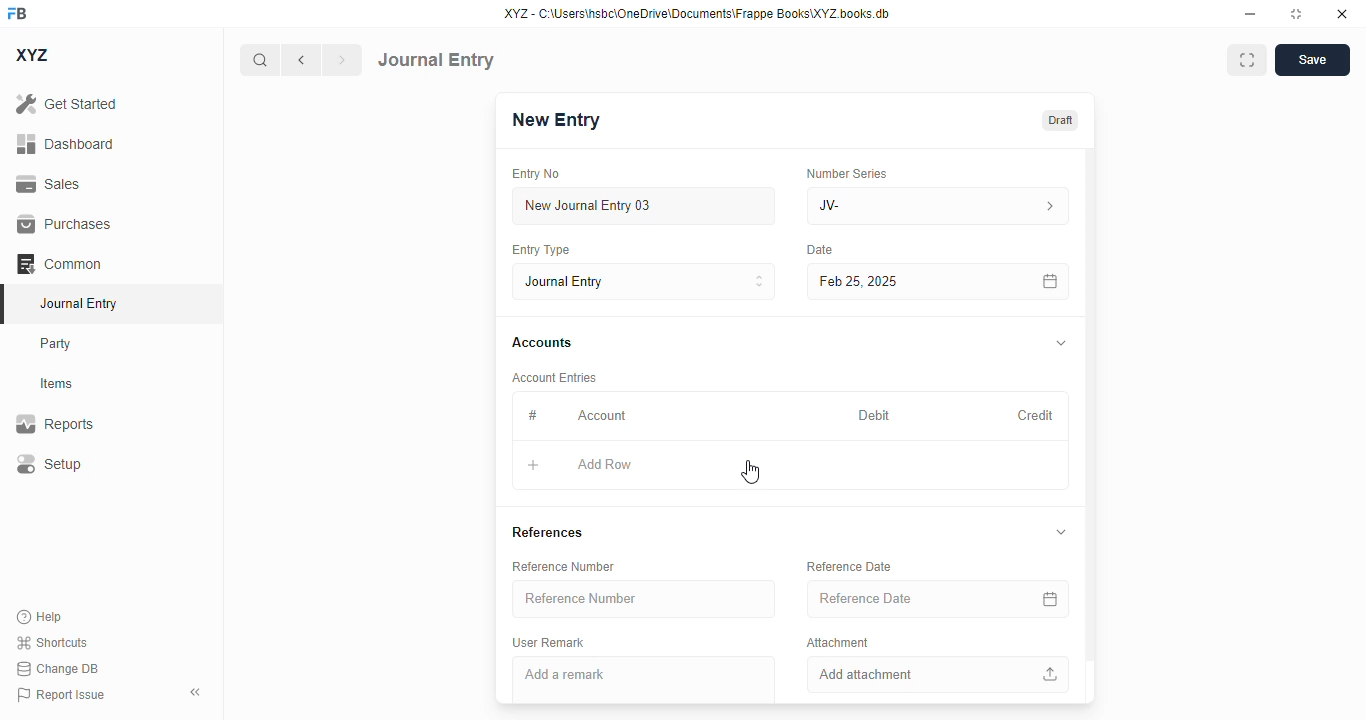 This screenshot has height=720, width=1366. What do you see at coordinates (1062, 343) in the screenshot?
I see `toggle expand/collapse` at bounding box center [1062, 343].